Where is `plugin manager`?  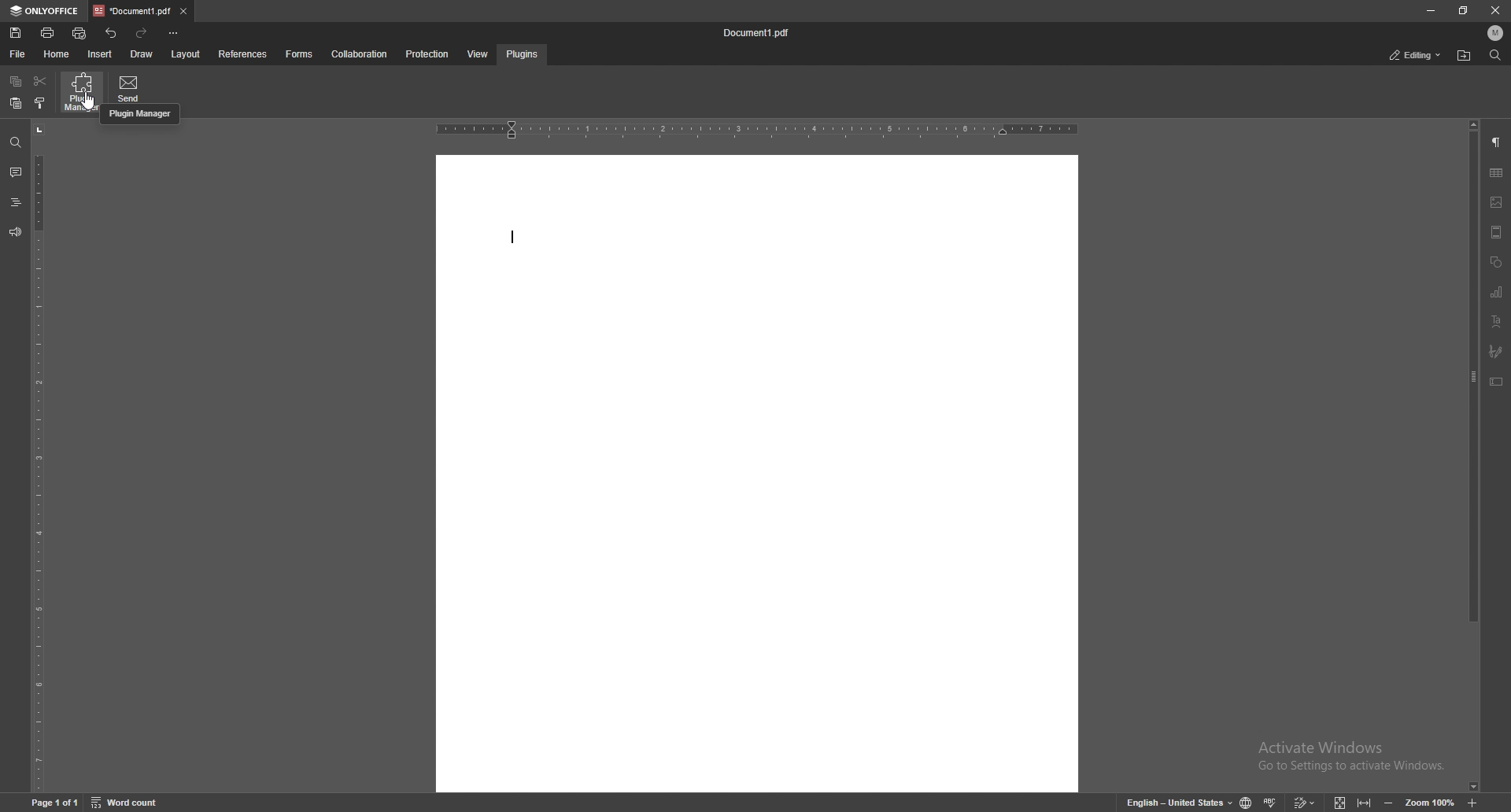
plugin manager is located at coordinates (83, 91).